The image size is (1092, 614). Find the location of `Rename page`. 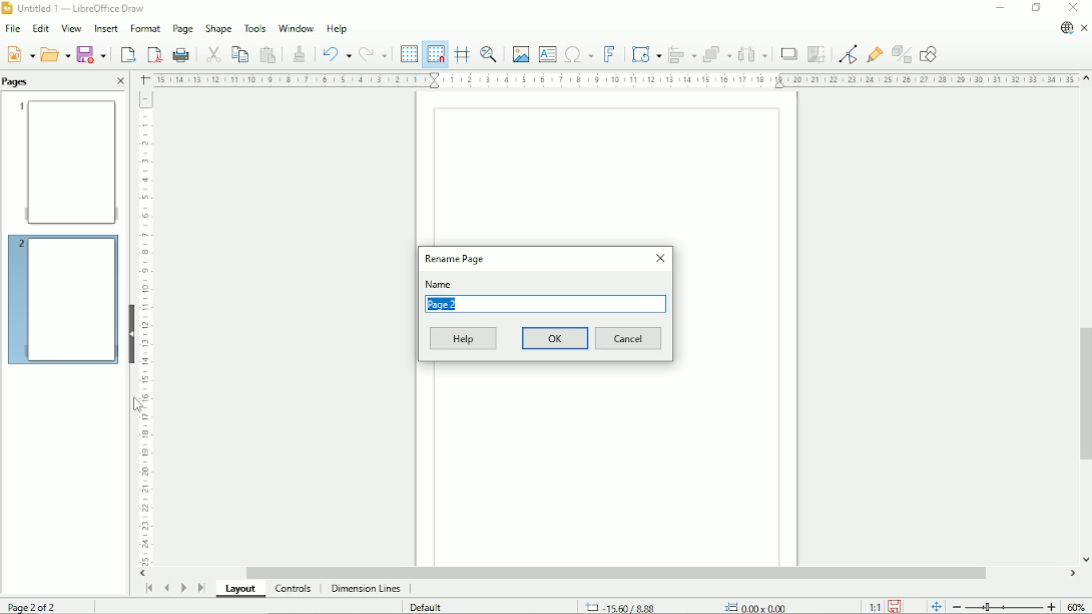

Rename page is located at coordinates (455, 258).